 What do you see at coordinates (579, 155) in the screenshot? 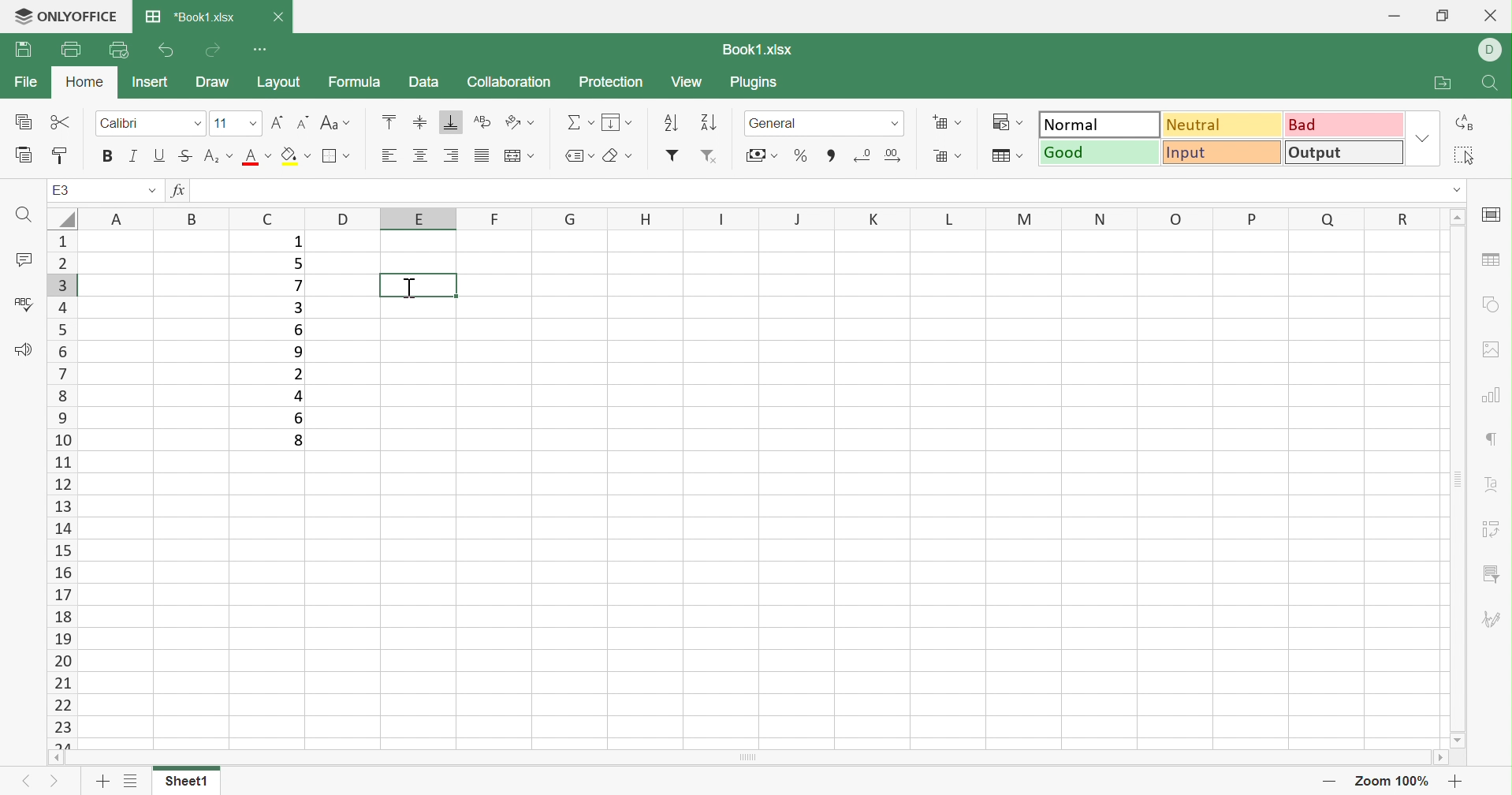
I see `Named ranges` at bounding box center [579, 155].